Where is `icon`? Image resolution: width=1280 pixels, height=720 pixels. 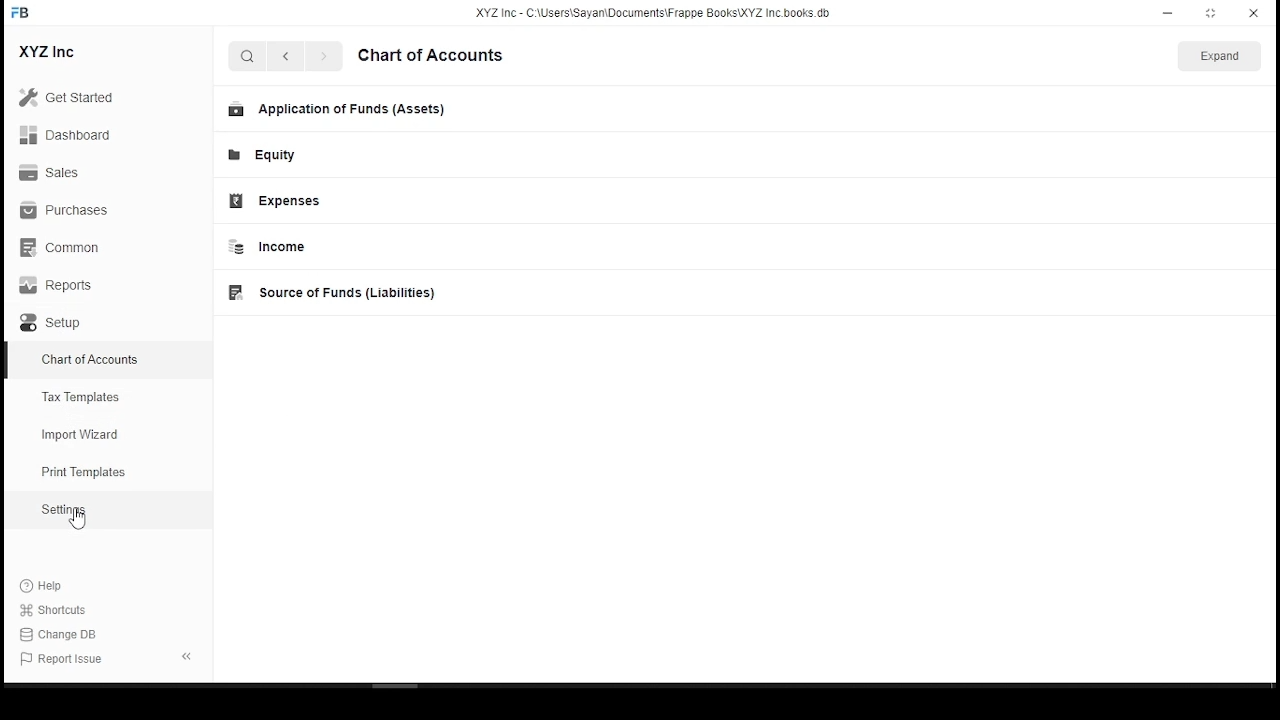
icon is located at coordinates (27, 17).